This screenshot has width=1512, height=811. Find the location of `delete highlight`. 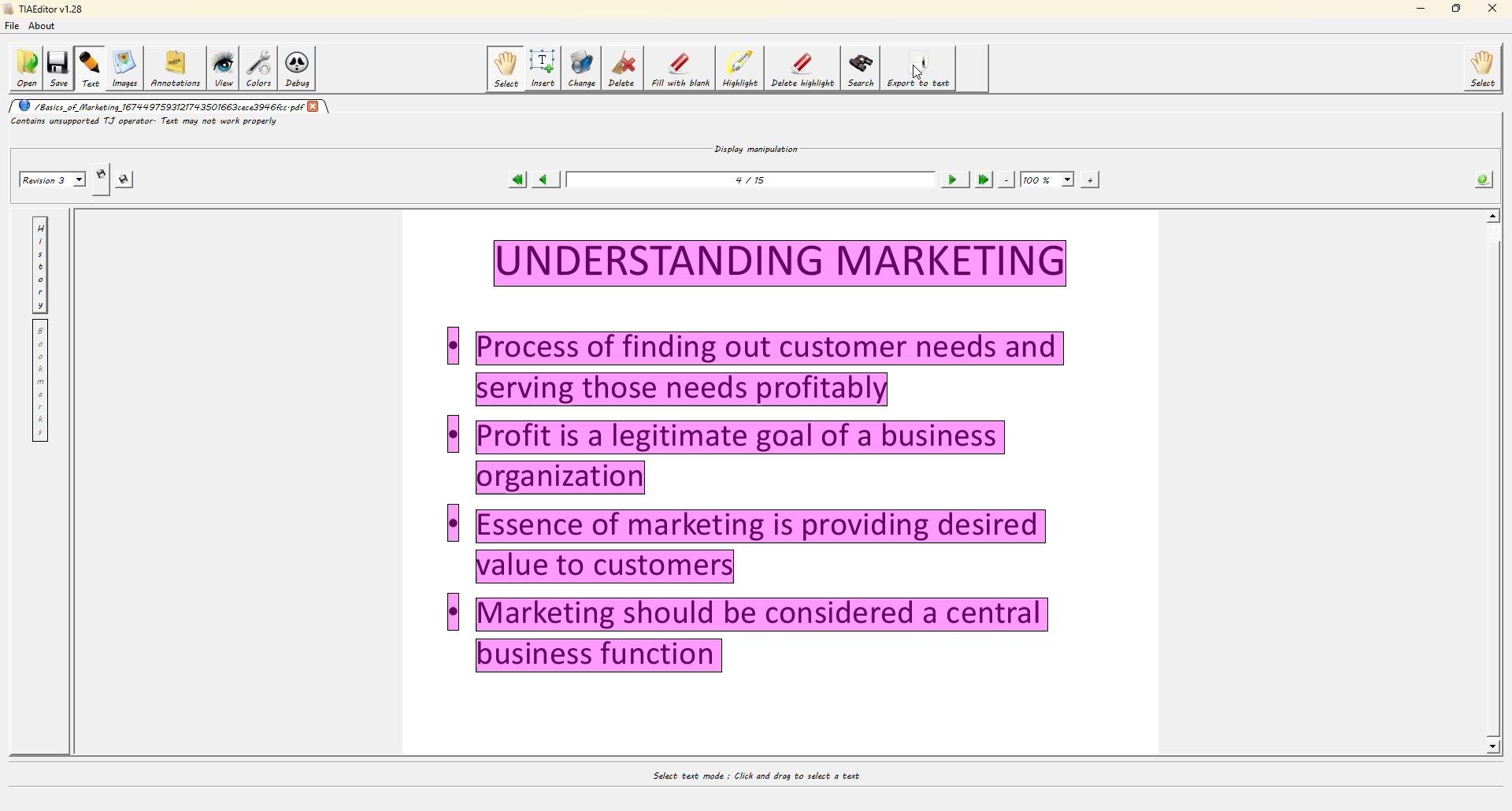

delete highlight is located at coordinates (802, 69).